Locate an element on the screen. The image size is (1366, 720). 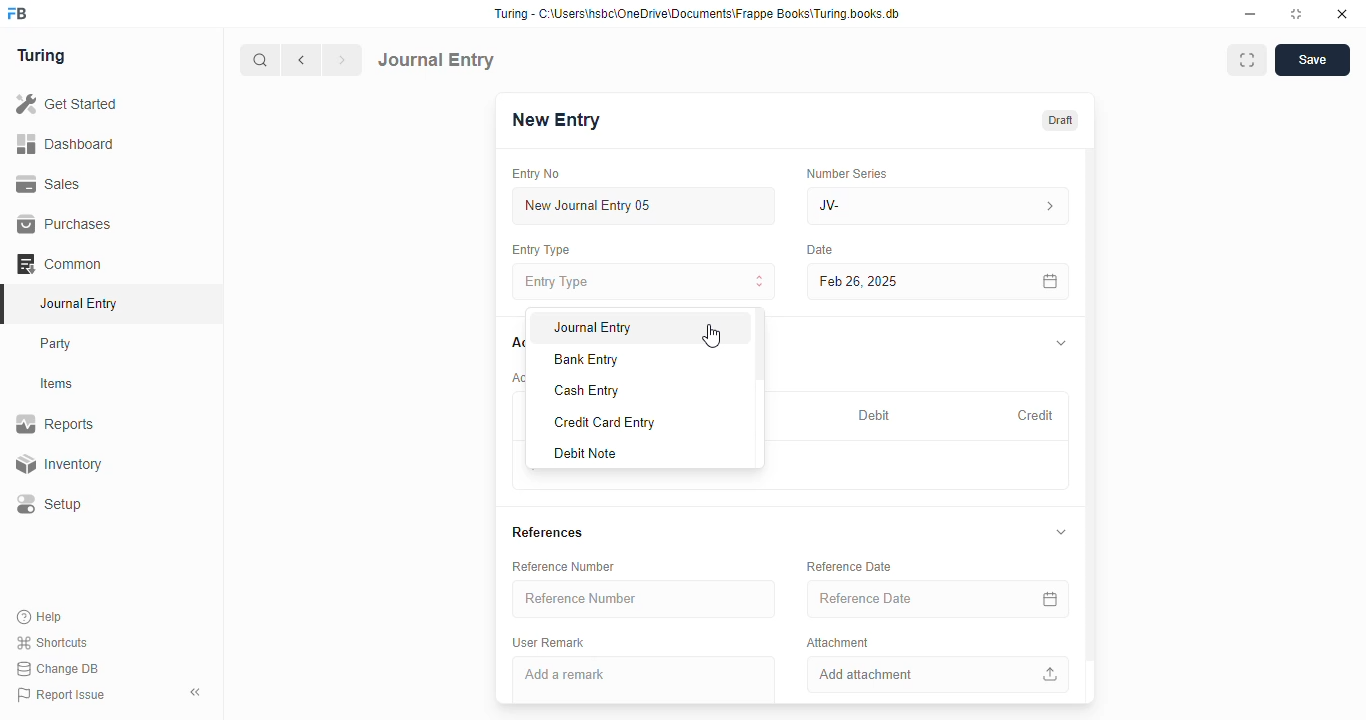
account entries is located at coordinates (517, 377).